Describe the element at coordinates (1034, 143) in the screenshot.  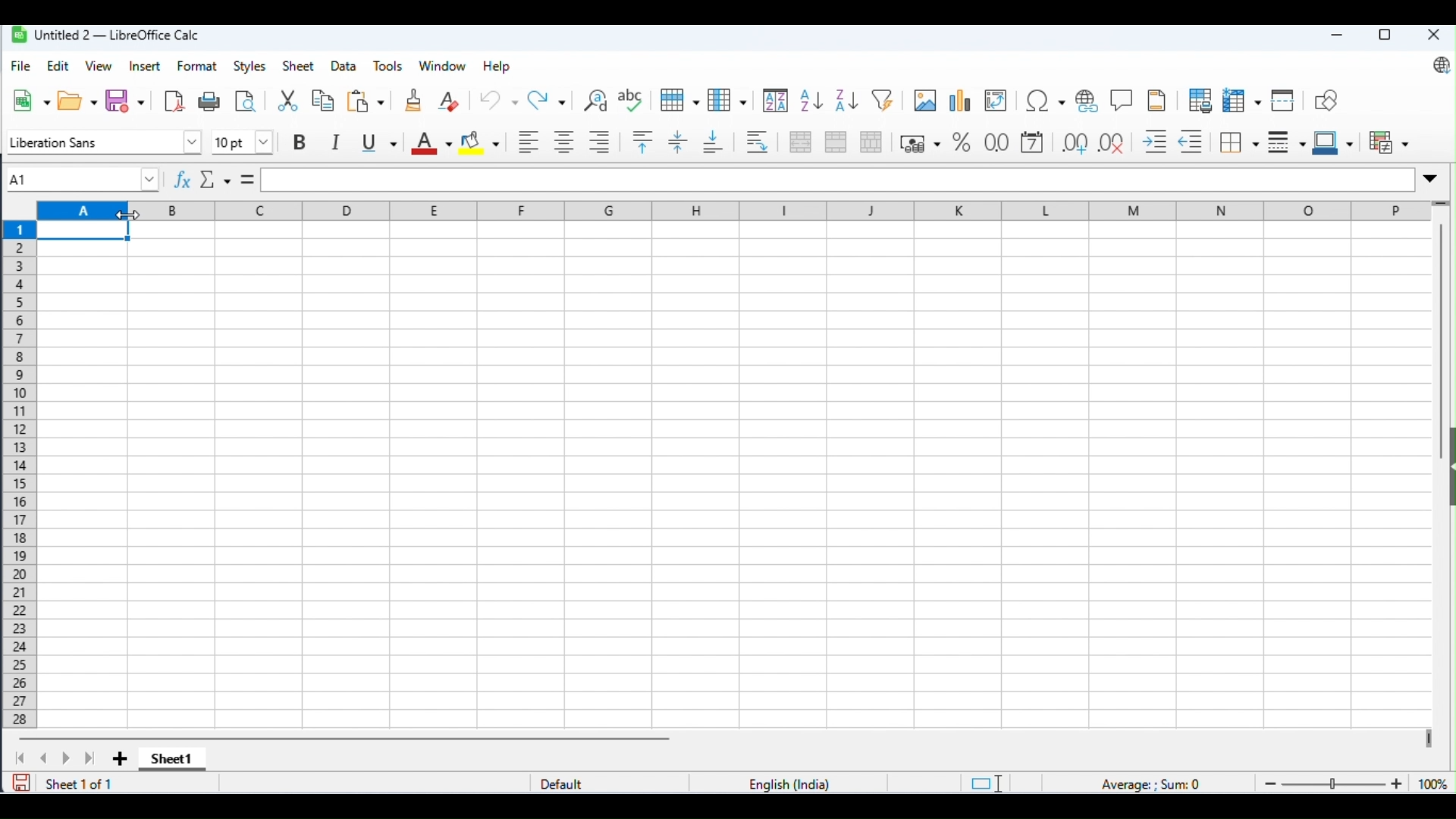
I see `format as date` at that location.